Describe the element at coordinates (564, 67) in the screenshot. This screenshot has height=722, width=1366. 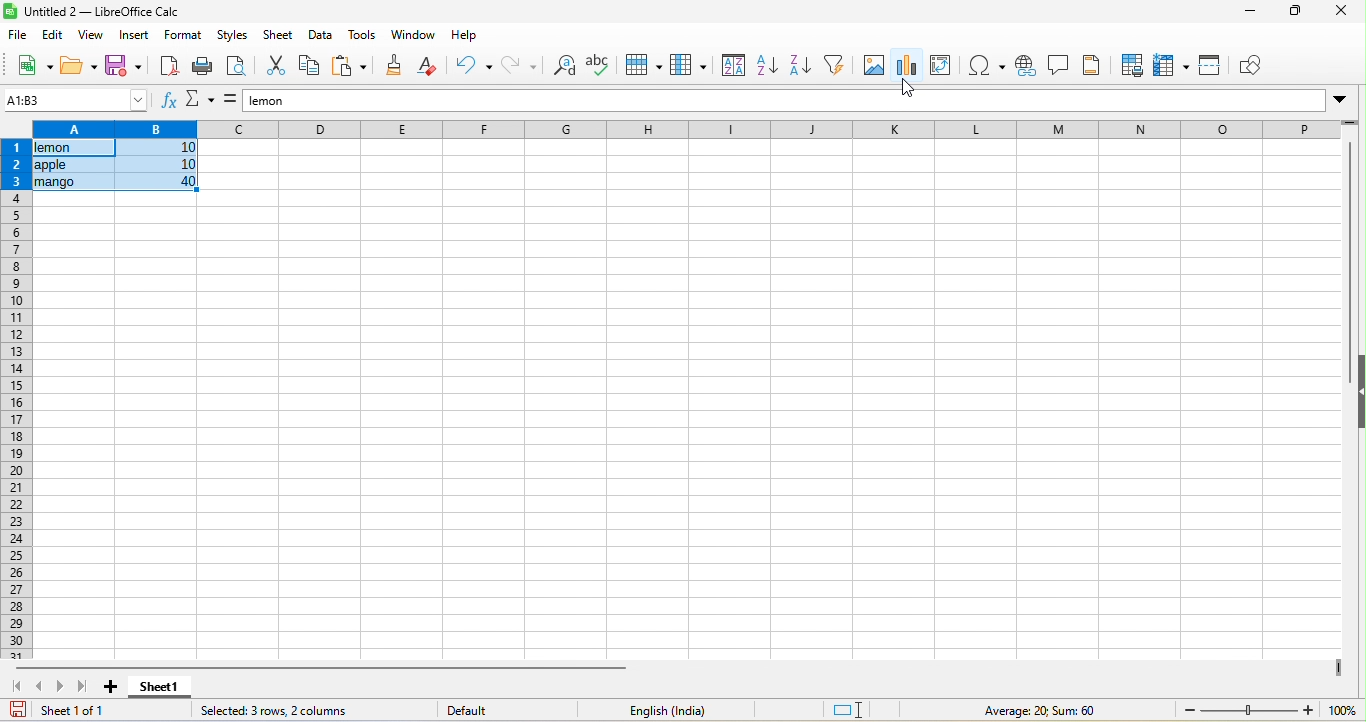
I see `find and replace` at that location.